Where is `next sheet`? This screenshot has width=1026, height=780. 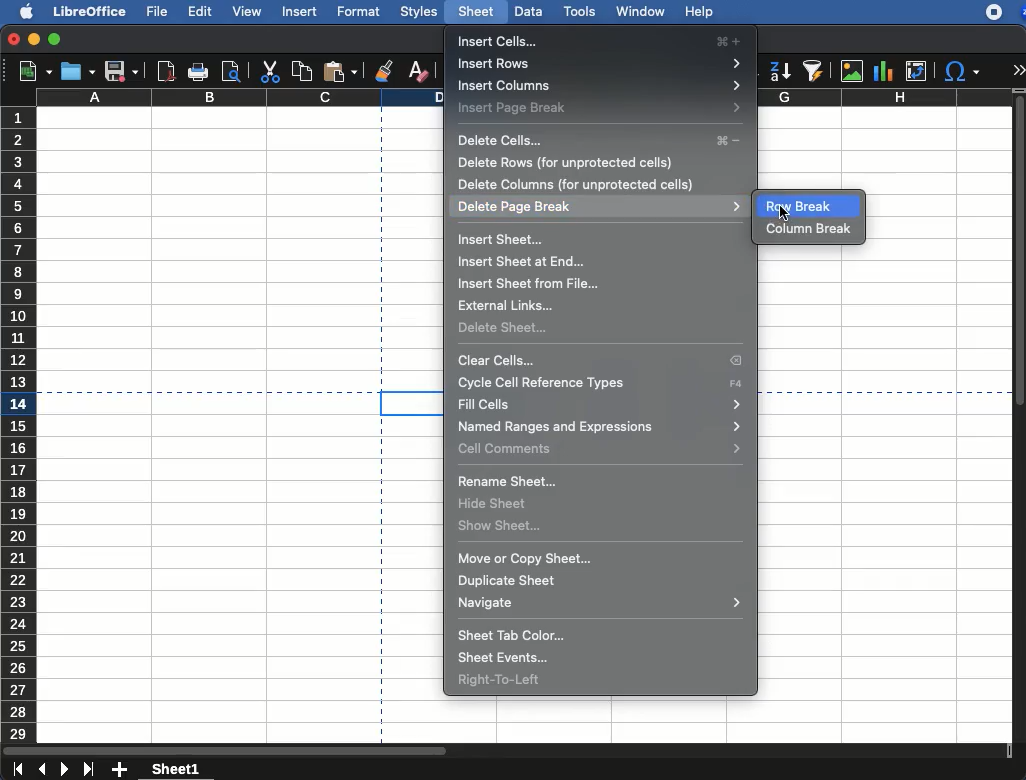
next sheet is located at coordinates (66, 770).